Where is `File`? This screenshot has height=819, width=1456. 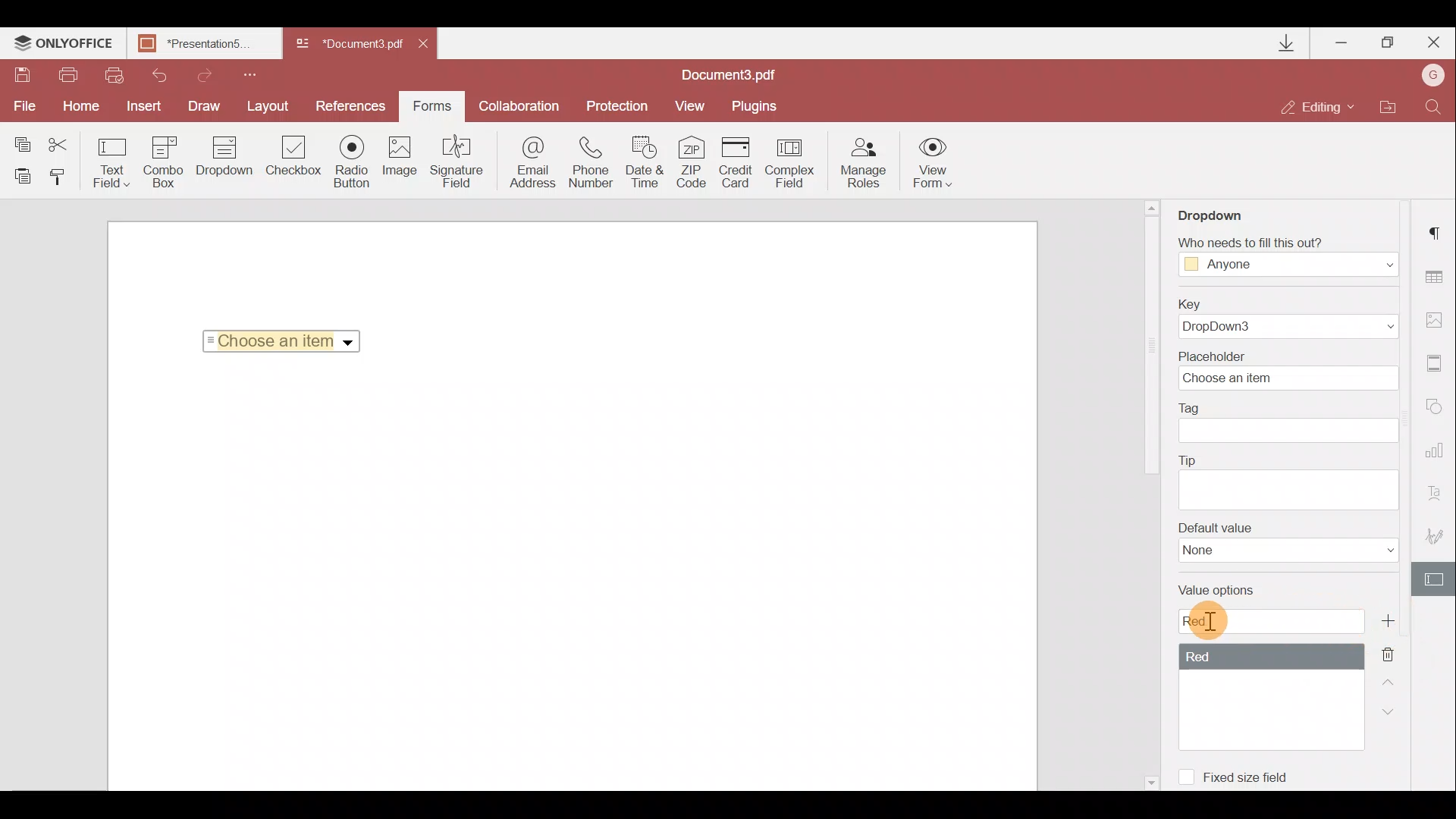 File is located at coordinates (26, 108).